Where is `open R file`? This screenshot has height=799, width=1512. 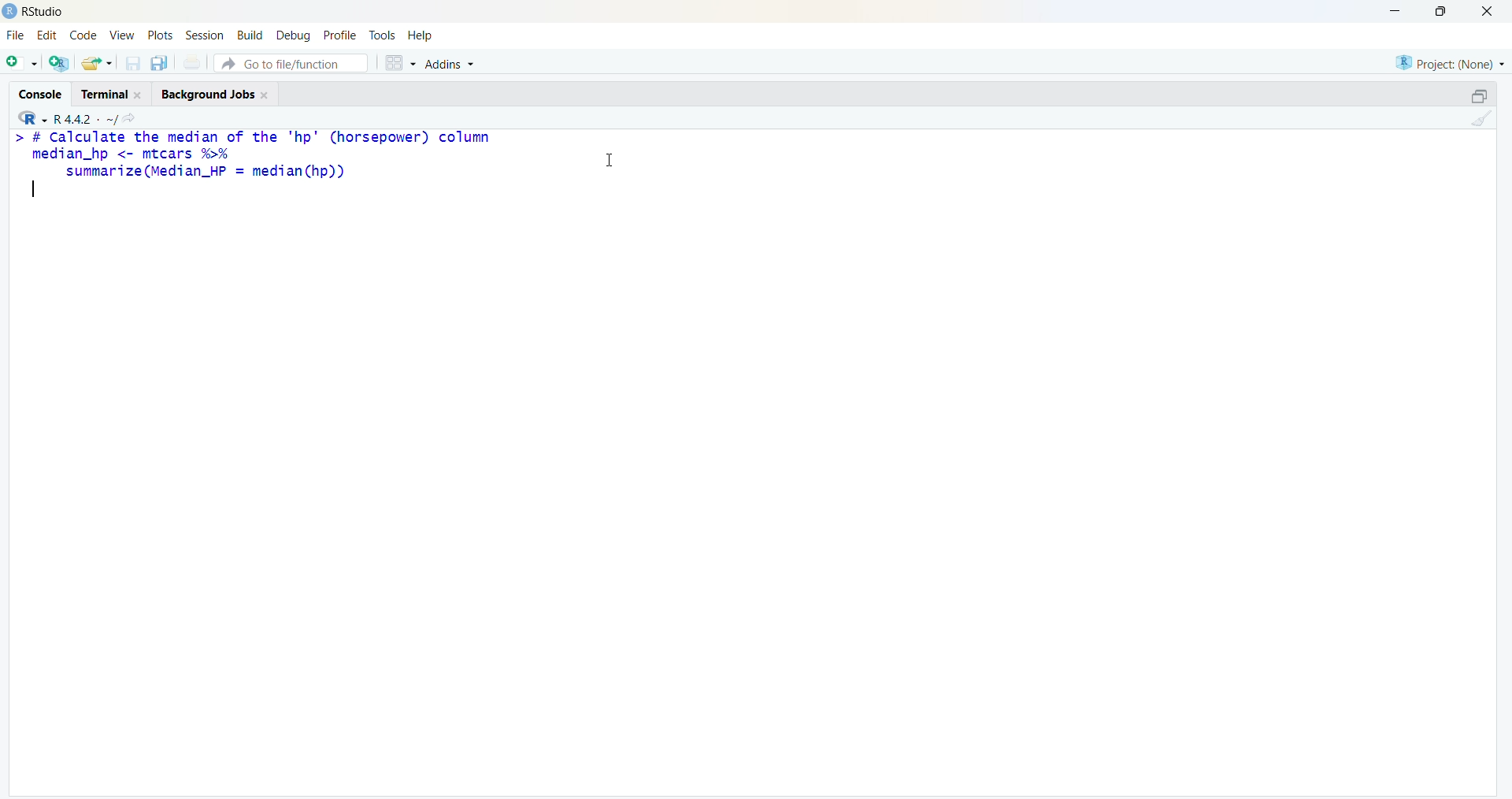
open R file is located at coordinates (58, 64).